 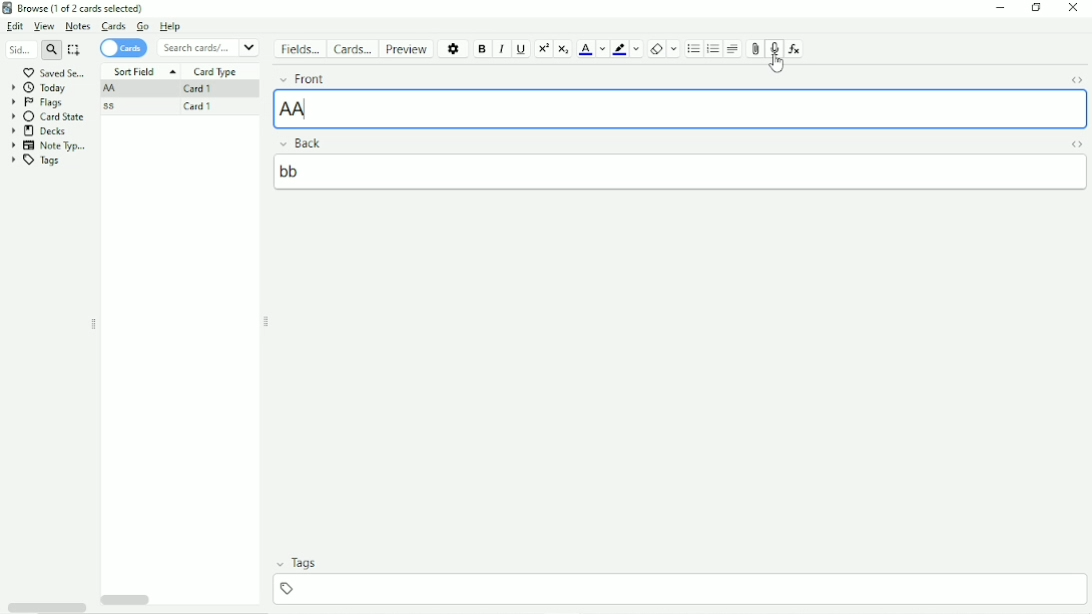 I want to click on Browse (1 of 2 cards selected), so click(x=77, y=8).